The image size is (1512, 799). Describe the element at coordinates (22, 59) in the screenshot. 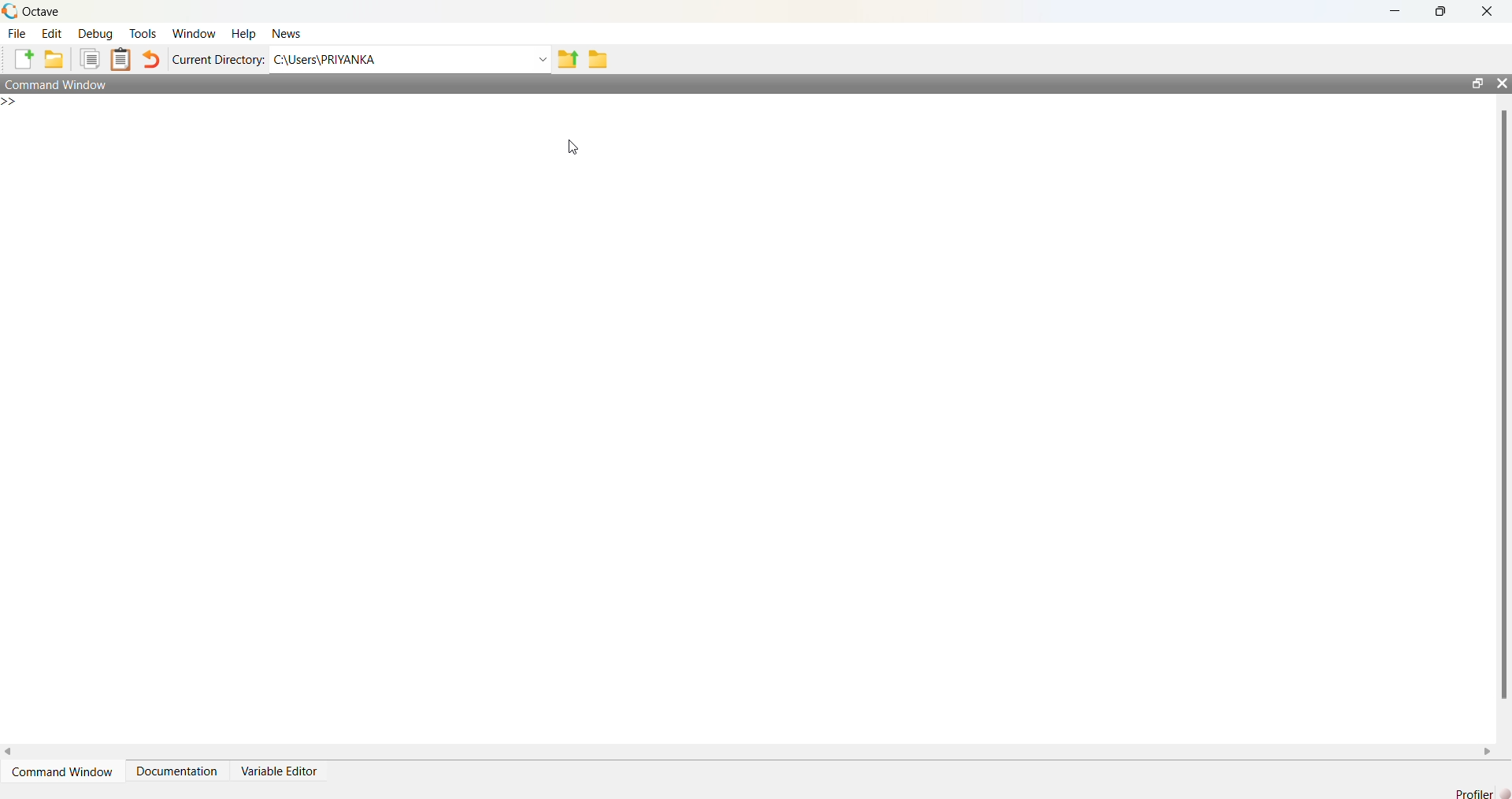

I see `New script` at that location.